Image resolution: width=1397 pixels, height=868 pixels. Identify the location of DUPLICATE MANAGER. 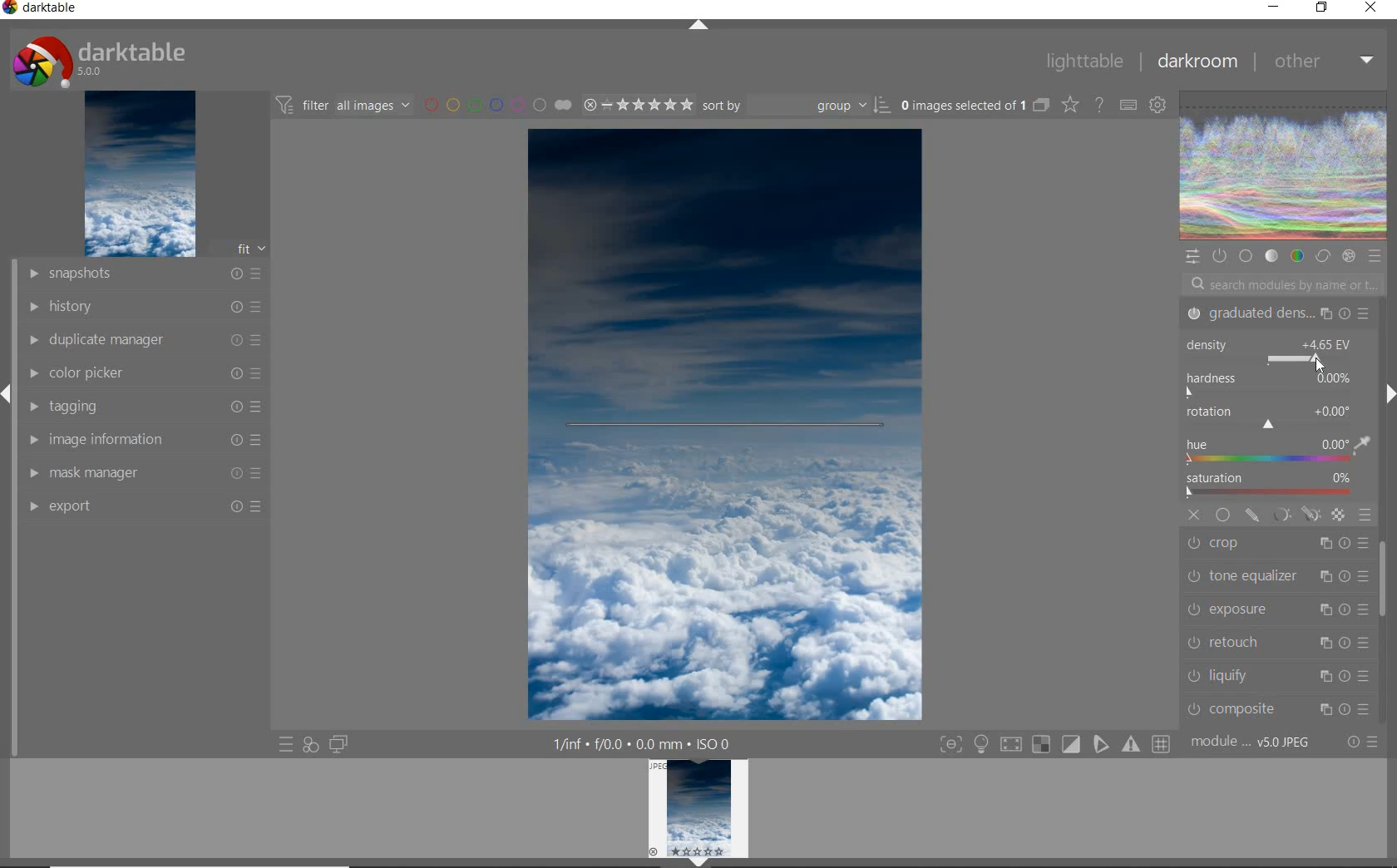
(142, 340).